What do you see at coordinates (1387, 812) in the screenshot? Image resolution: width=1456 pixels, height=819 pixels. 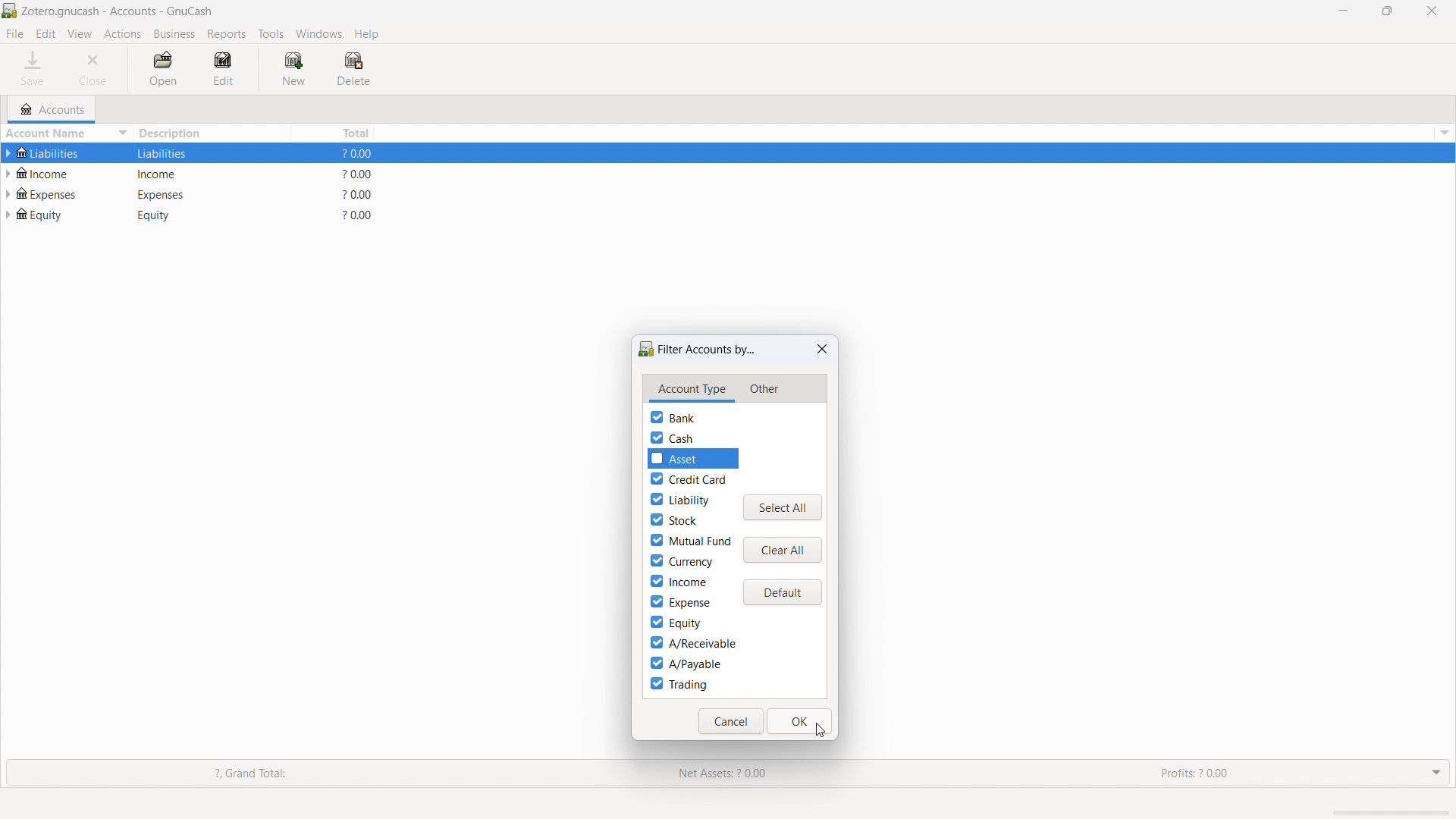 I see `scrollbar` at bounding box center [1387, 812].